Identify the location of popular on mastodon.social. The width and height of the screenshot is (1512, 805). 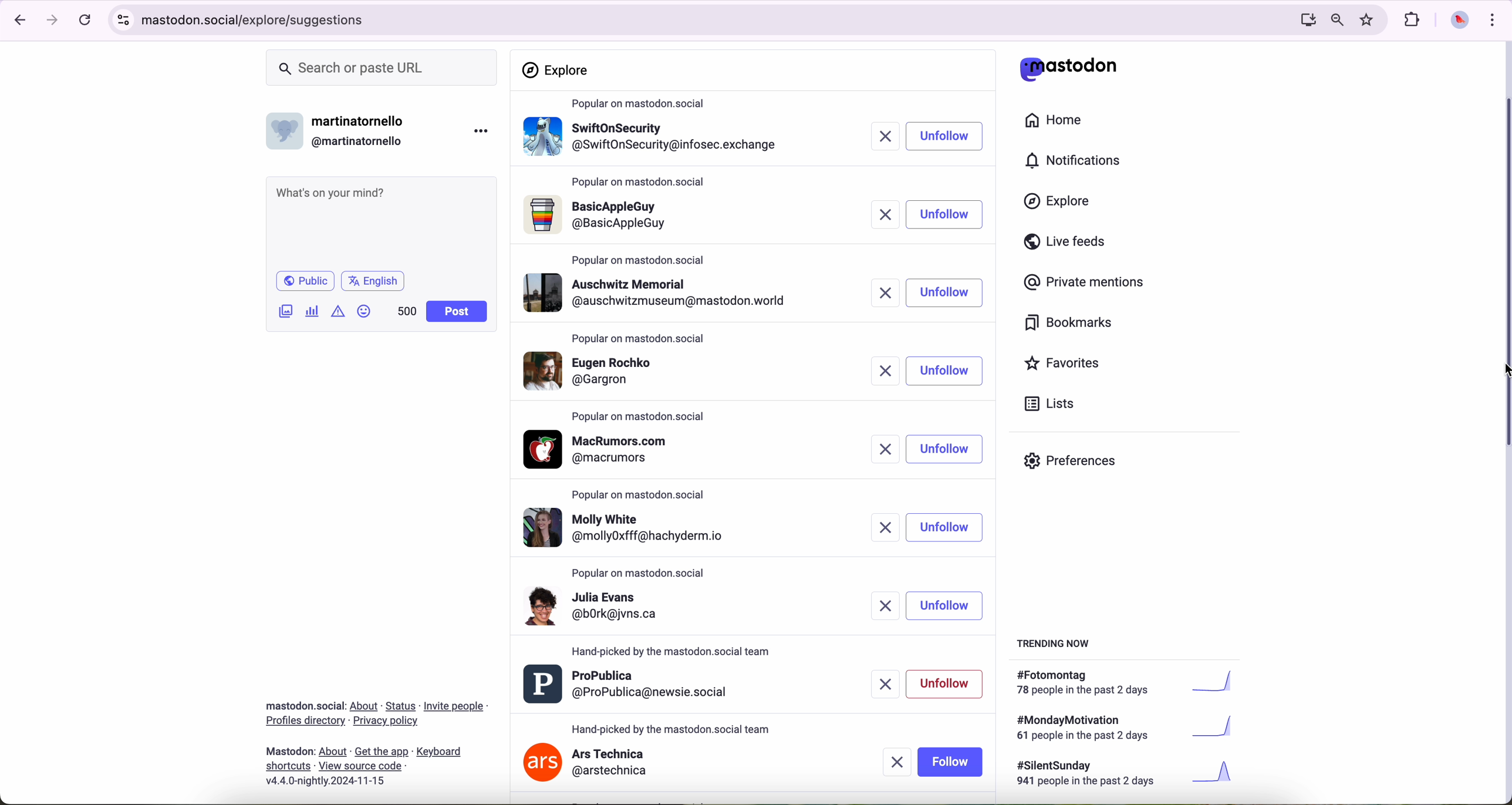
(673, 652).